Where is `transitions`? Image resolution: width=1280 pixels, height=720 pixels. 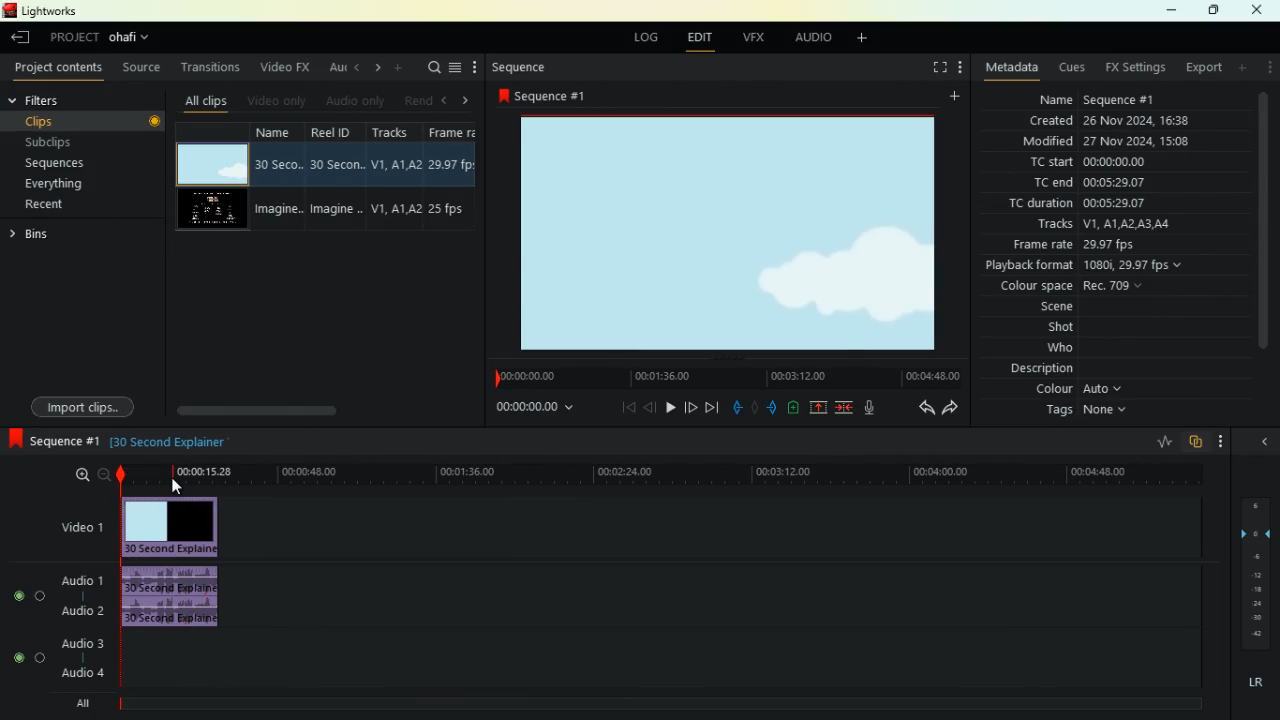 transitions is located at coordinates (213, 67).